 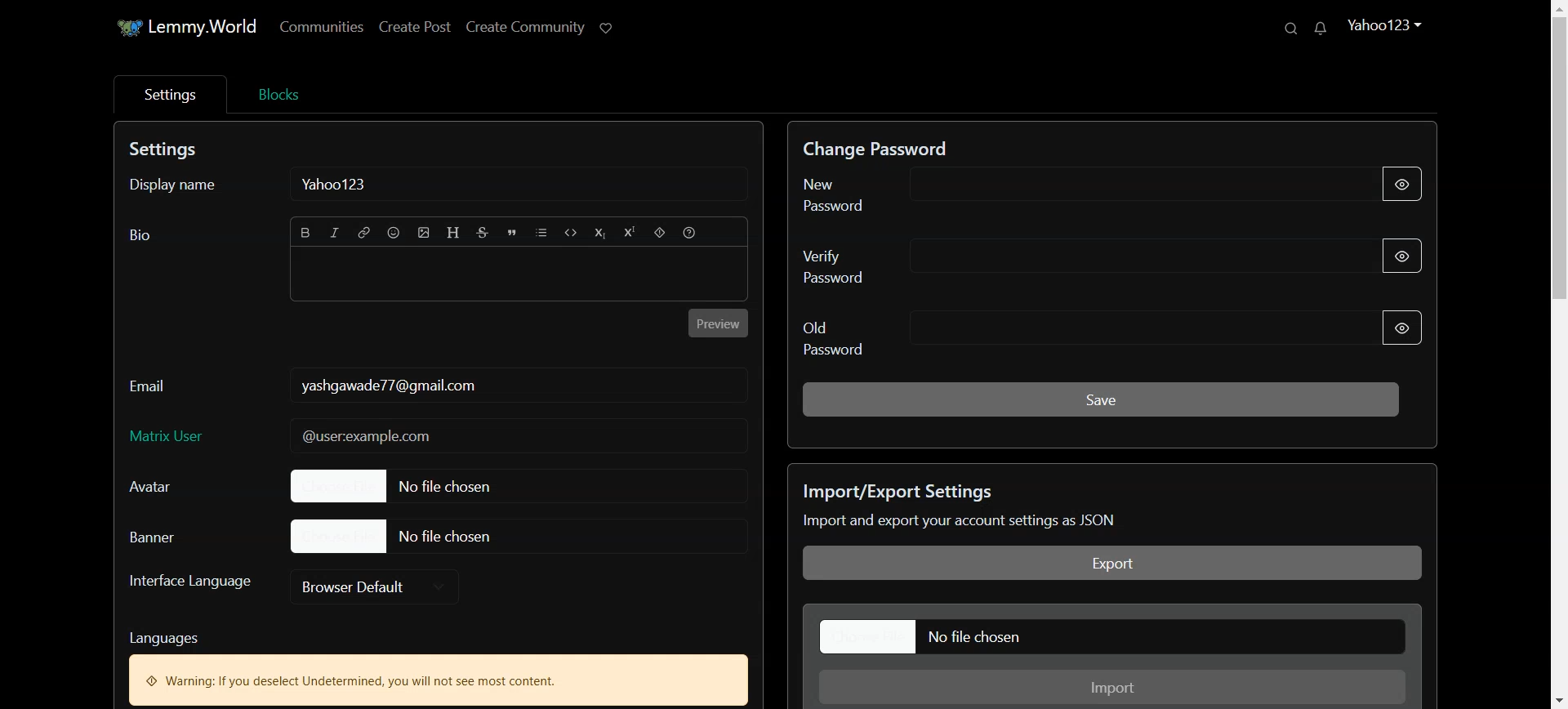 I want to click on Interface Language, so click(x=189, y=587).